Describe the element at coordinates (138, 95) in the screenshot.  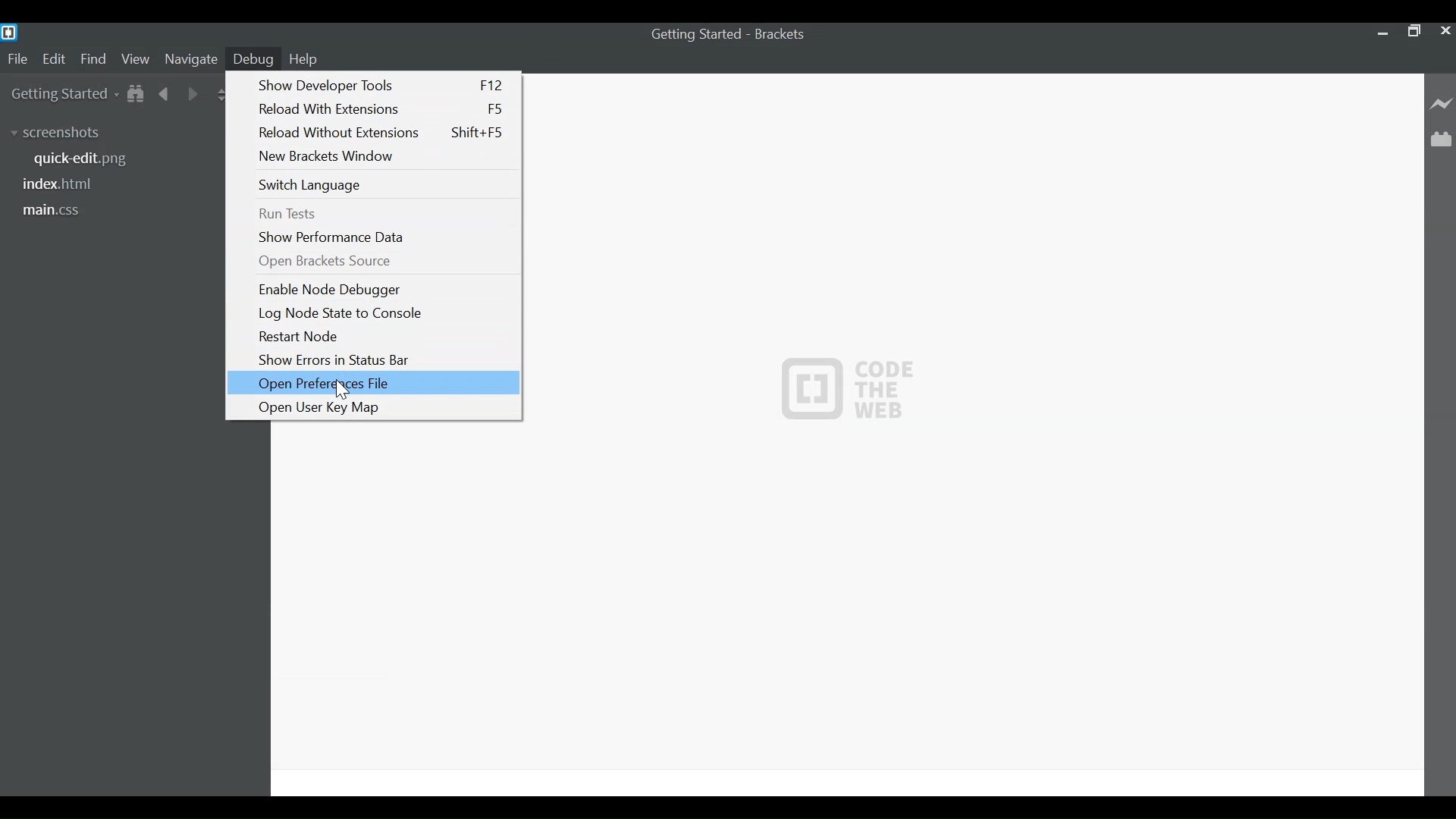
I see `Show in File Tree` at that location.